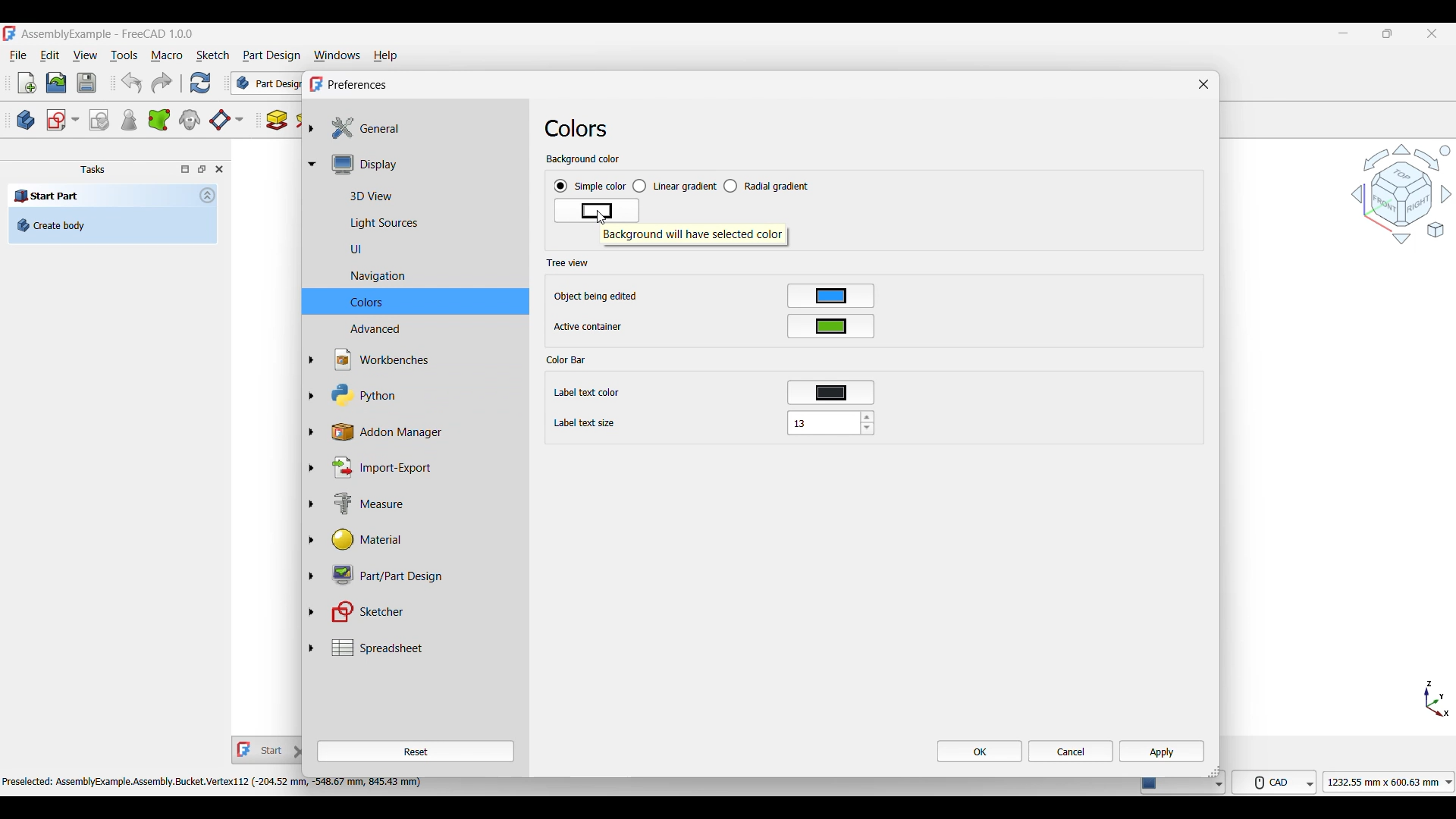 This screenshot has width=1456, height=819. Describe the element at coordinates (226, 121) in the screenshot. I see `Create a datum plane` at that location.